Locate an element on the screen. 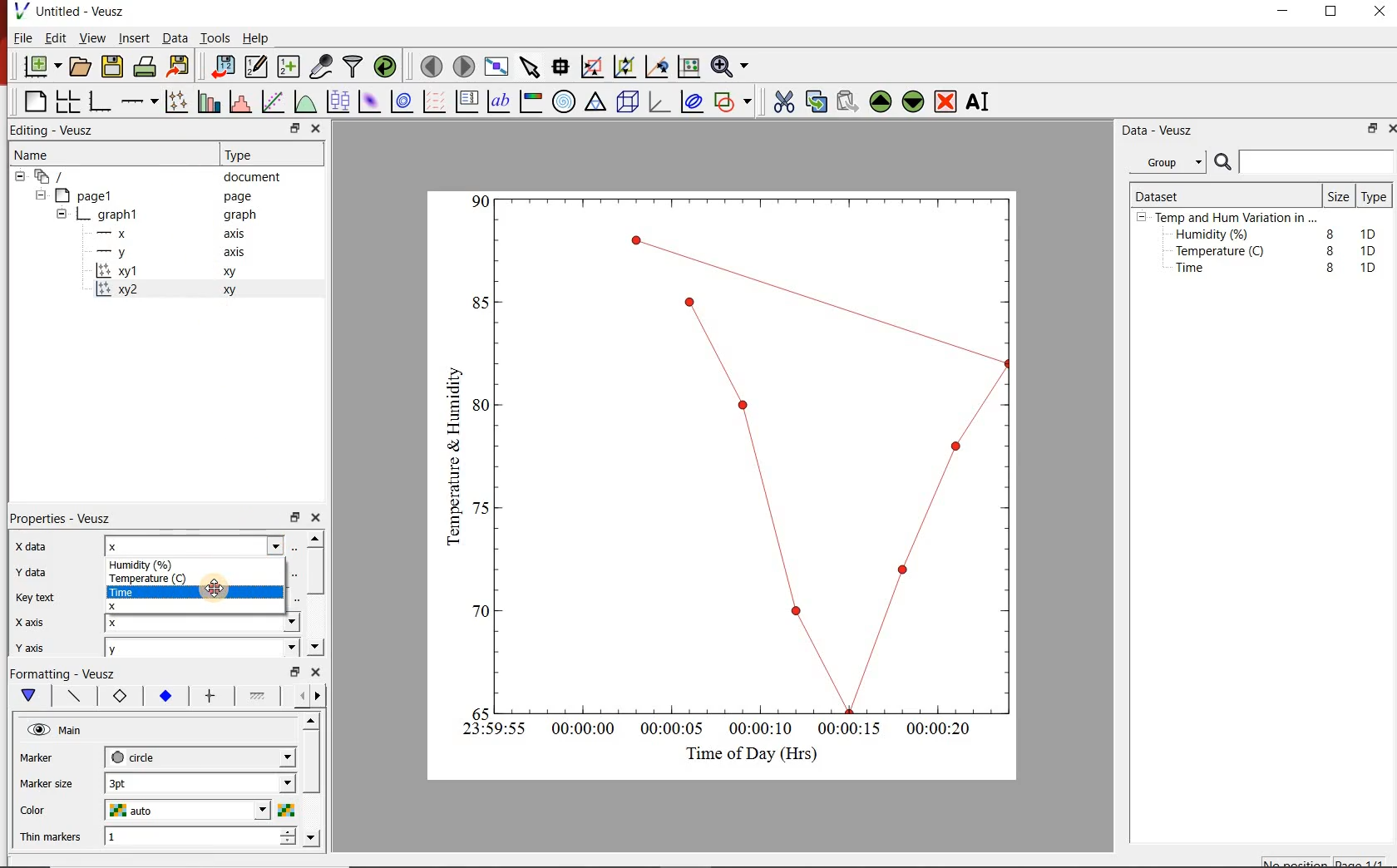 The width and height of the screenshot is (1397, 868). Editing - Veusz is located at coordinates (57, 130).